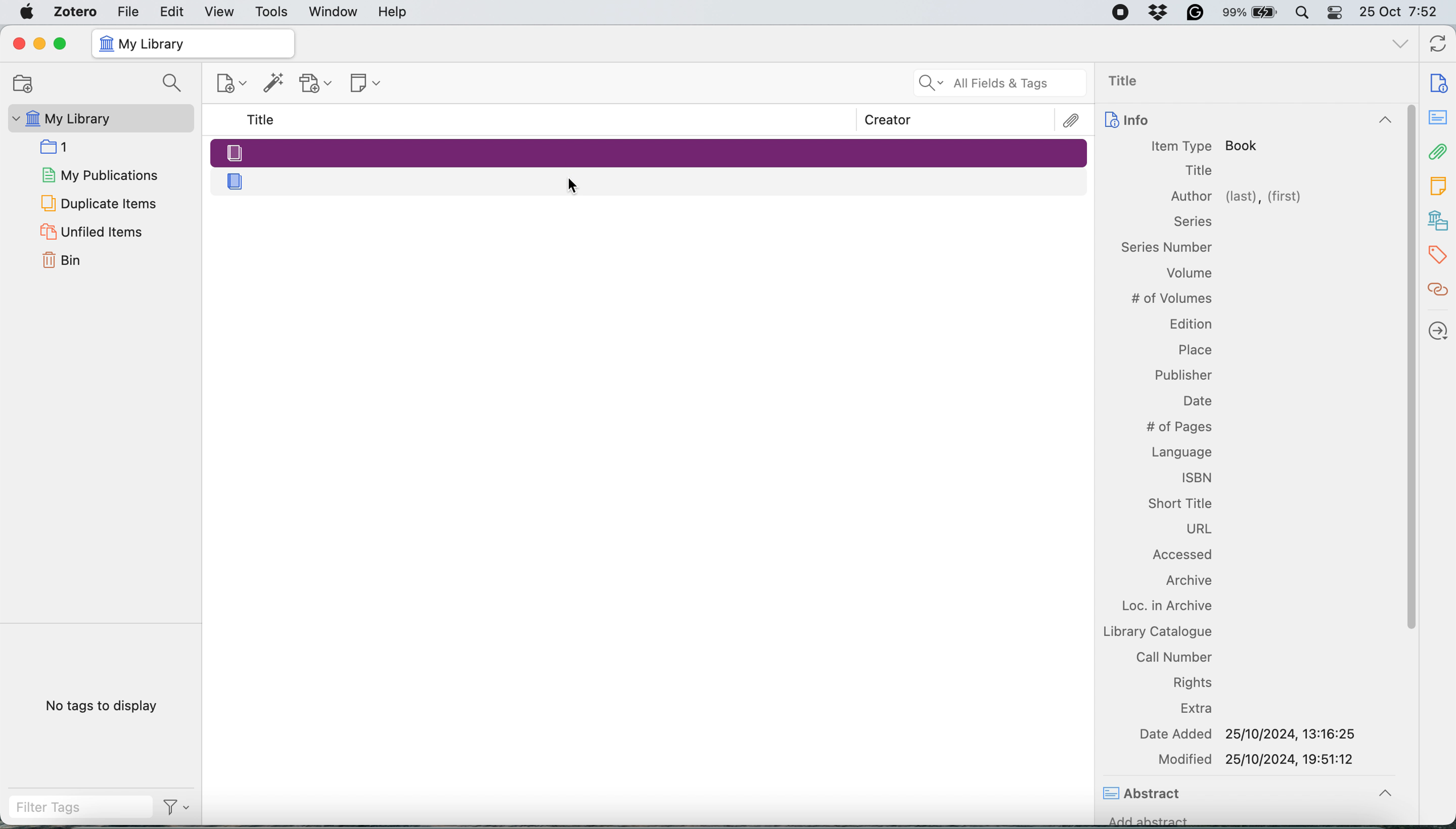 The height and width of the screenshot is (829, 1456). Describe the element at coordinates (1191, 221) in the screenshot. I see `` at that location.